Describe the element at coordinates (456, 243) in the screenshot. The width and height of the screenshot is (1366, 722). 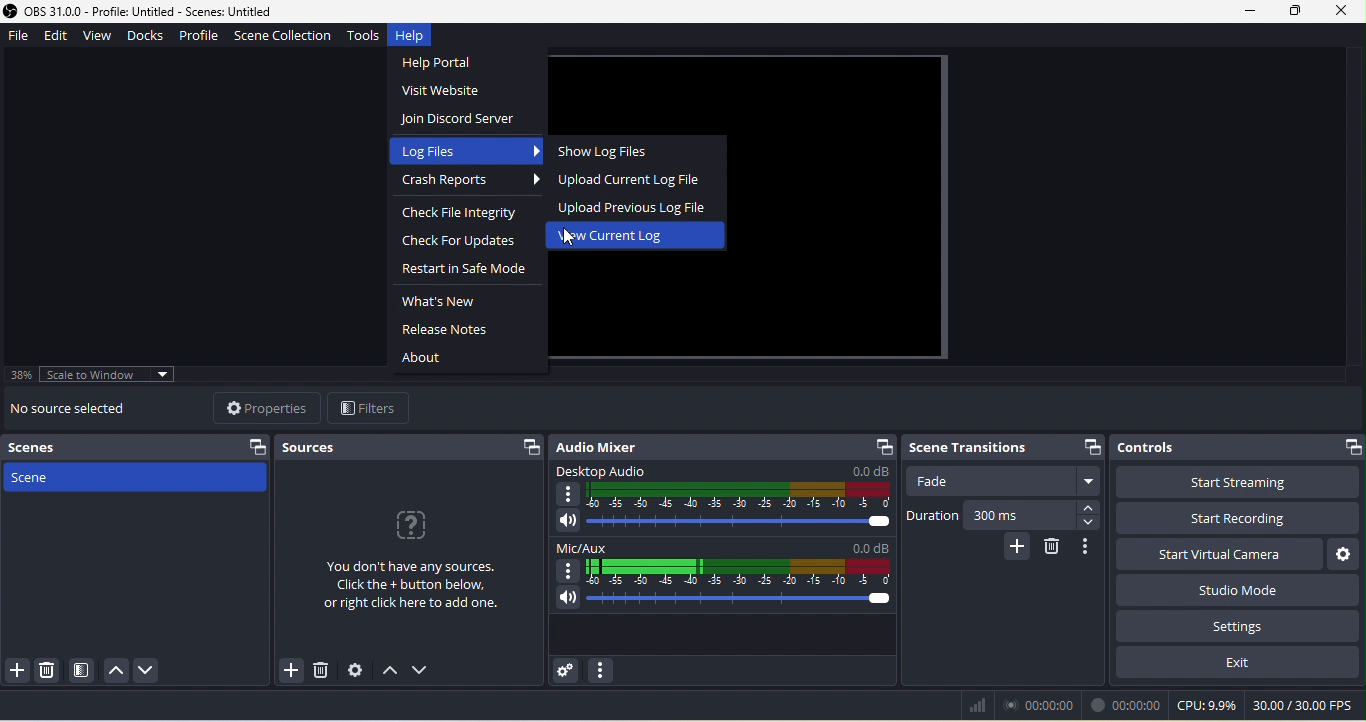
I see `check for updates` at that location.